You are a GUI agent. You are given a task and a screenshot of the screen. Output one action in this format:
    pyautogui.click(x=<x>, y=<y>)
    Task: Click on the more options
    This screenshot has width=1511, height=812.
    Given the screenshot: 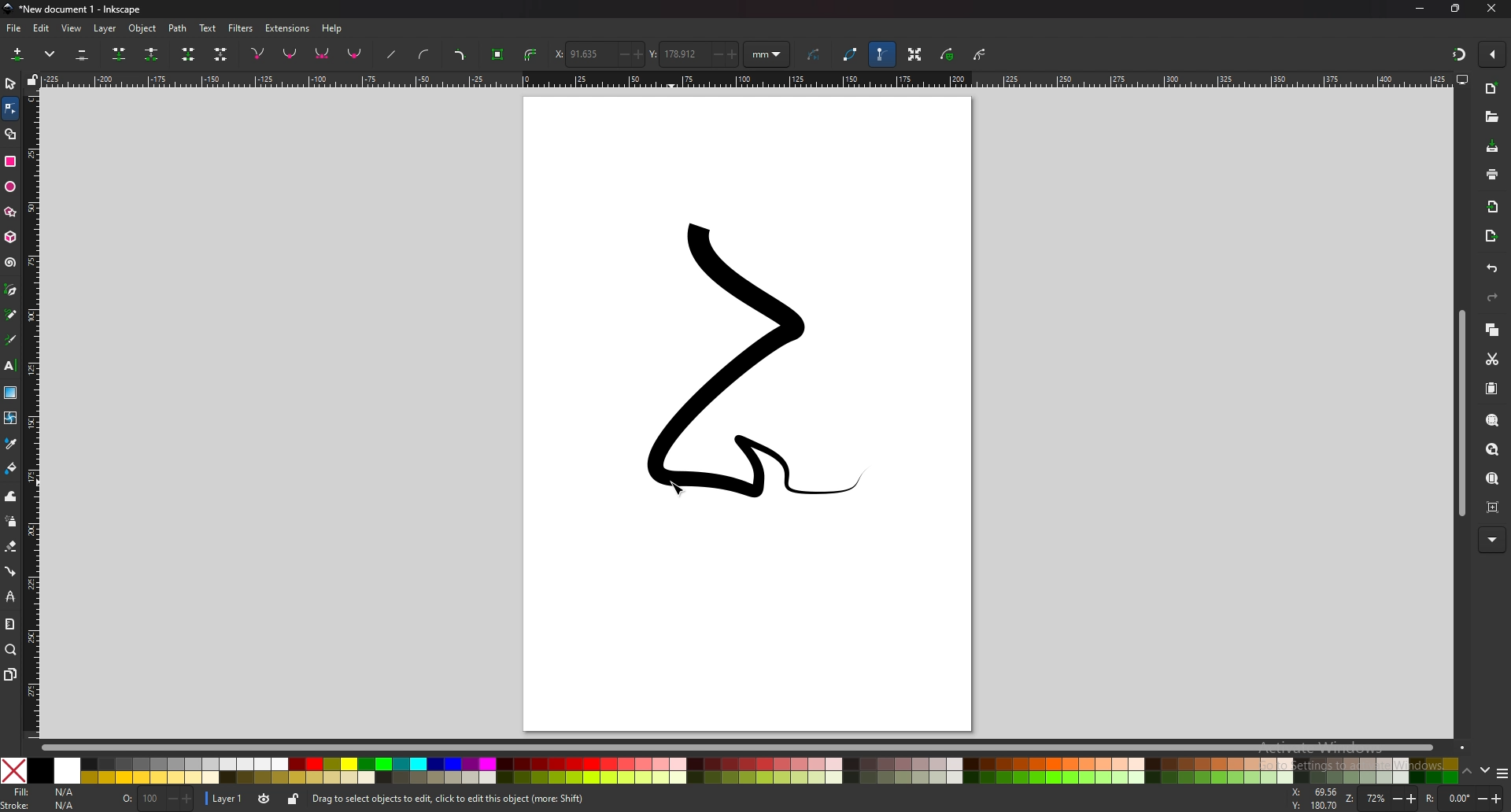 What is the action you would take?
    pyautogui.click(x=50, y=54)
    